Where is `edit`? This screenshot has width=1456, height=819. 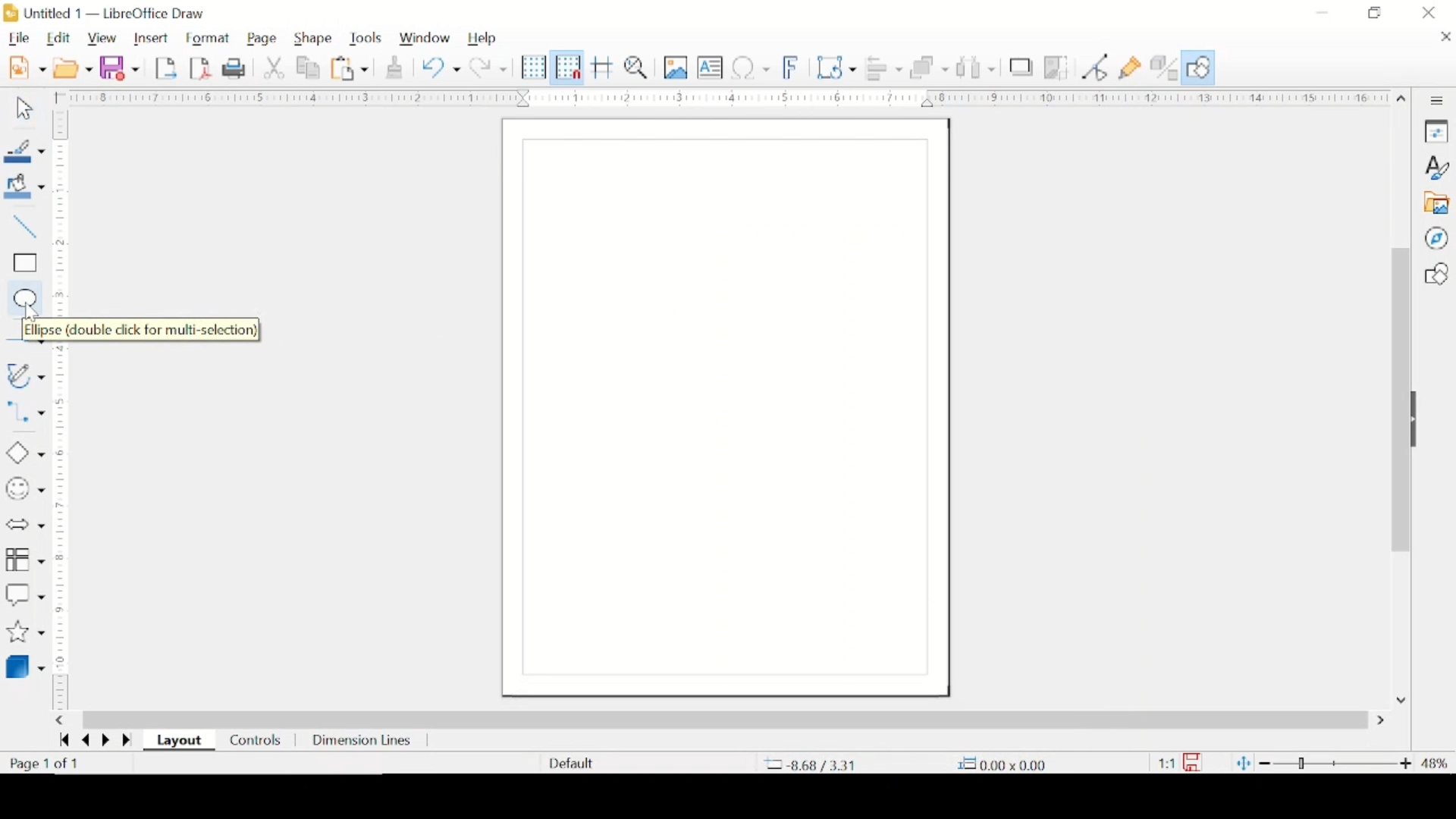 edit is located at coordinates (61, 38).